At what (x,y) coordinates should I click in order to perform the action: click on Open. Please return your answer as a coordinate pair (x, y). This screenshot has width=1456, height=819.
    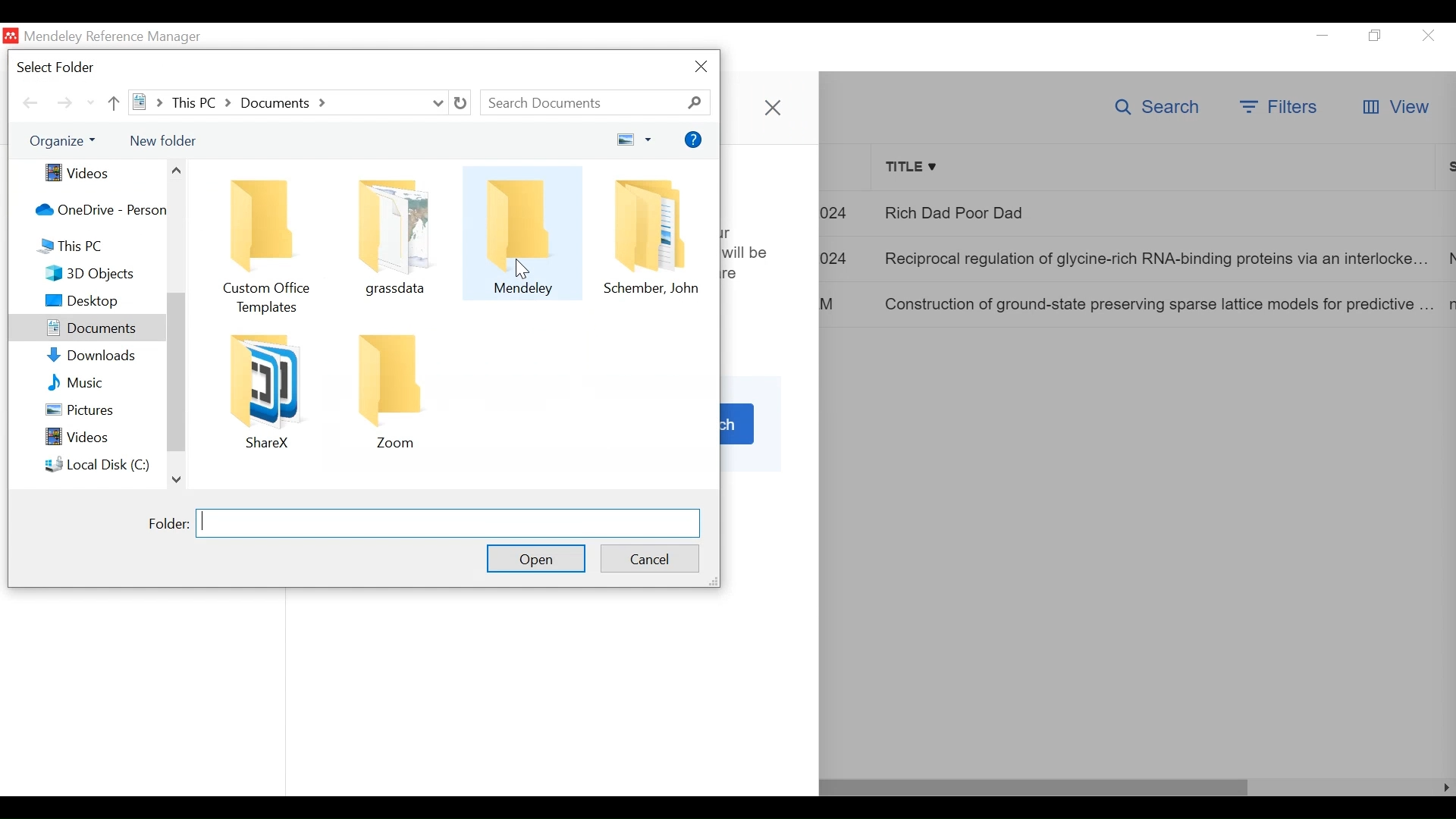
    Looking at the image, I should click on (535, 559).